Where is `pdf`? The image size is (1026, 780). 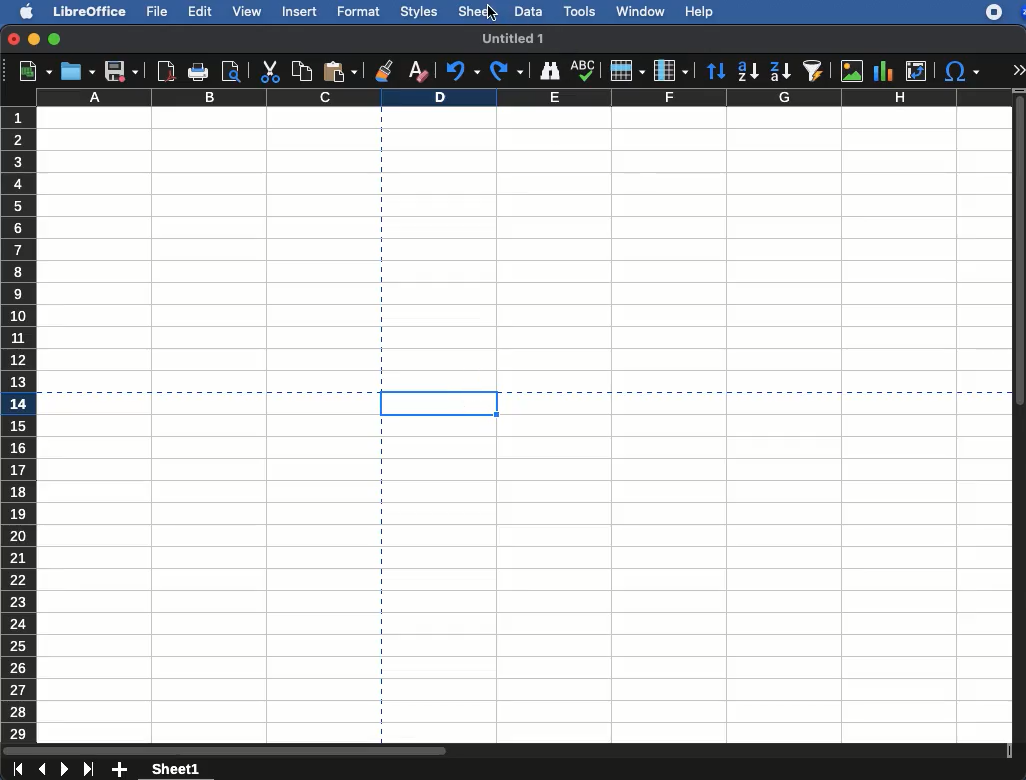
pdf is located at coordinates (166, 71).